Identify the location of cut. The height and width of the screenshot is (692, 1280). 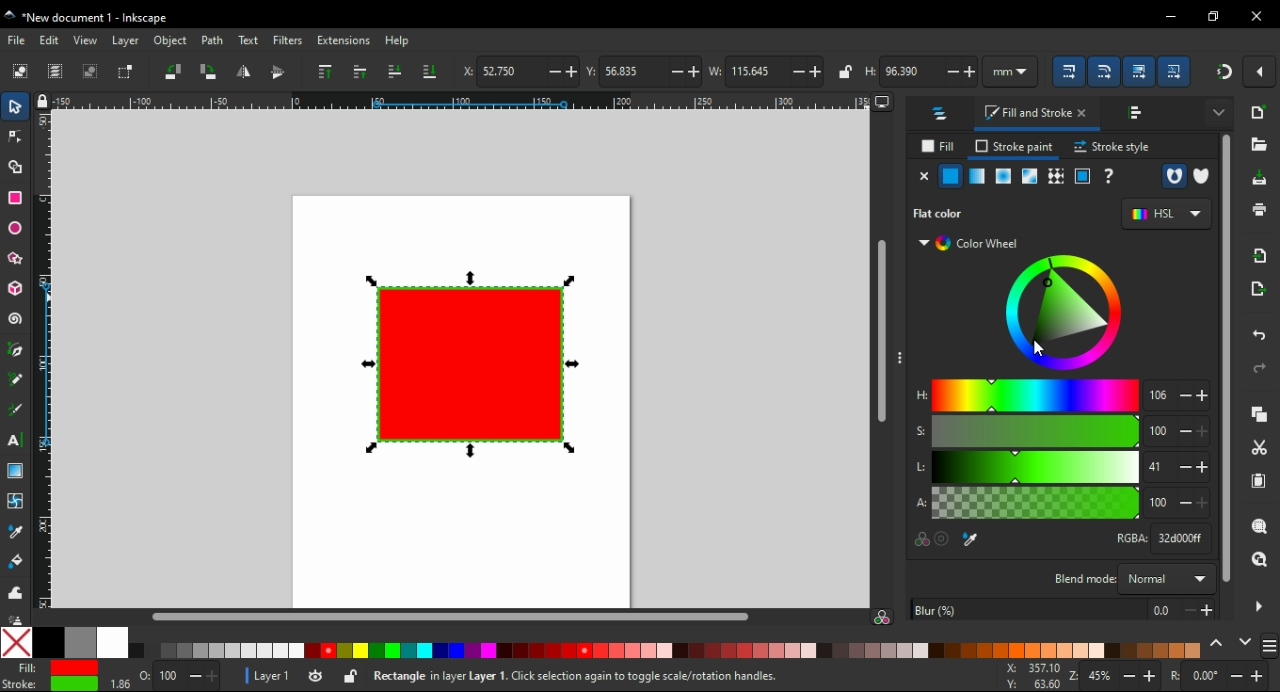
(1258, 448).